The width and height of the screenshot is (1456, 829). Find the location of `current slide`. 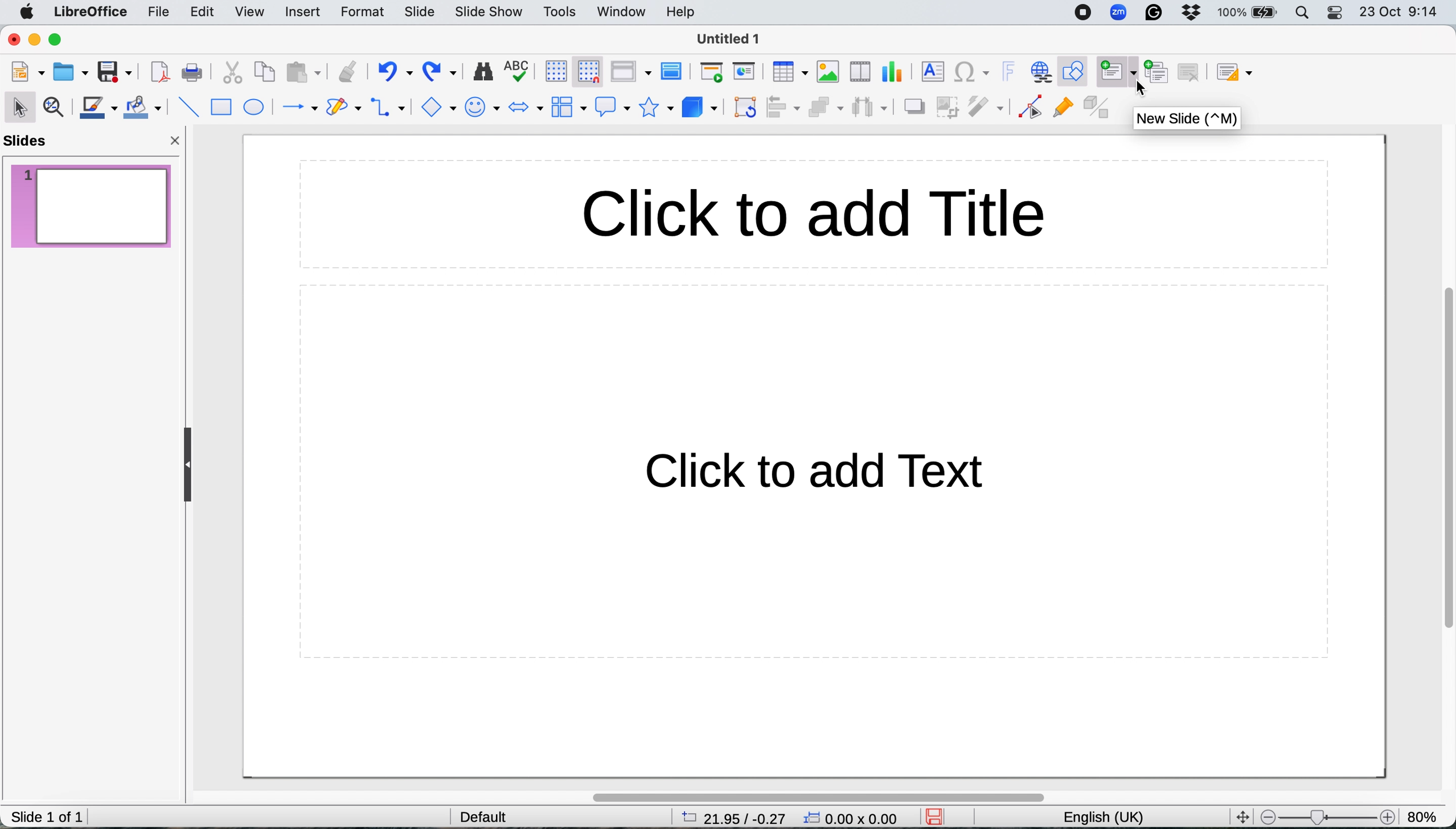

current slide is located at coordinates (91, 204).